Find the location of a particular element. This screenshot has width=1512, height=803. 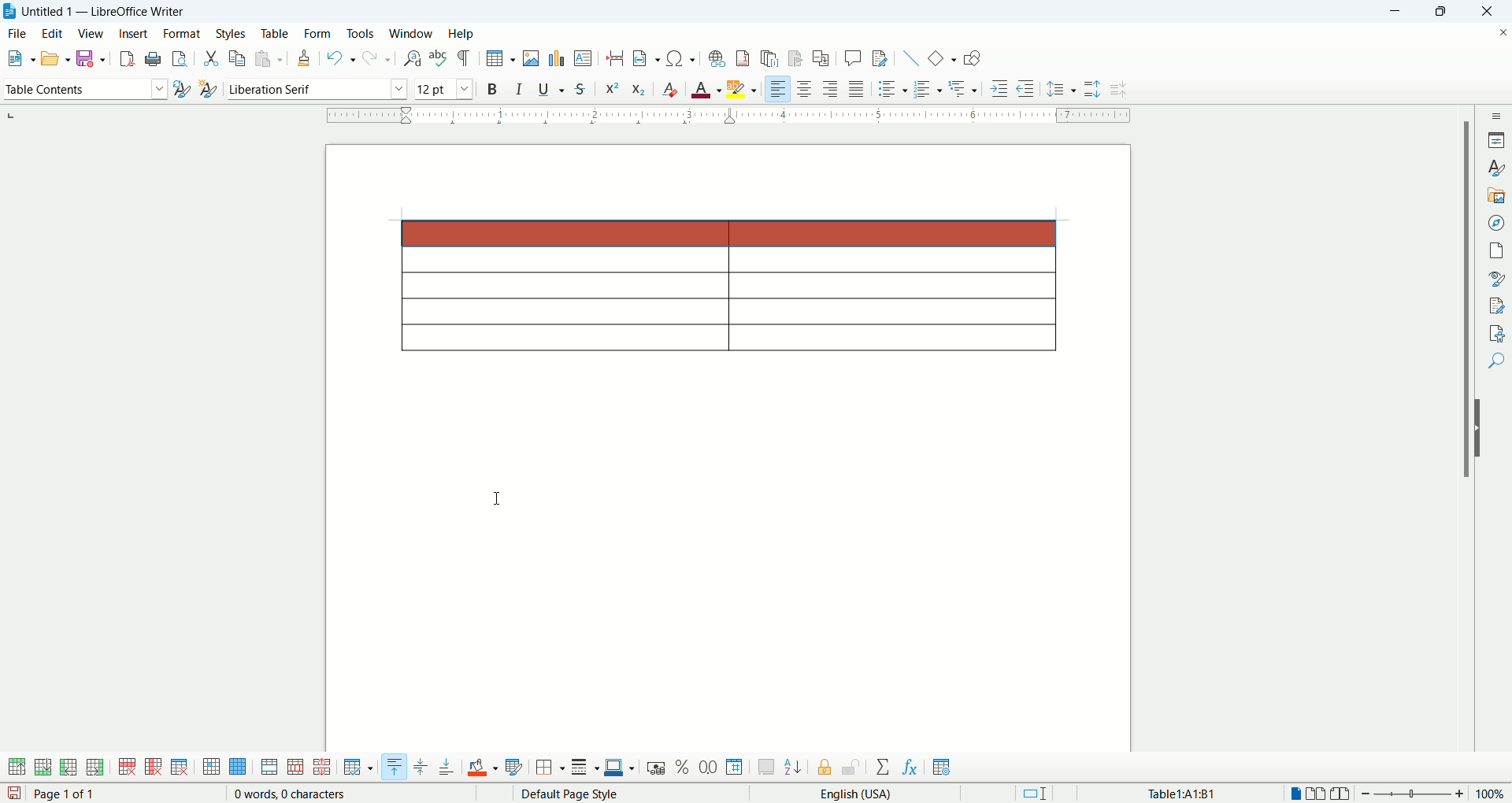

insert table is located at coordinates (501, 58).